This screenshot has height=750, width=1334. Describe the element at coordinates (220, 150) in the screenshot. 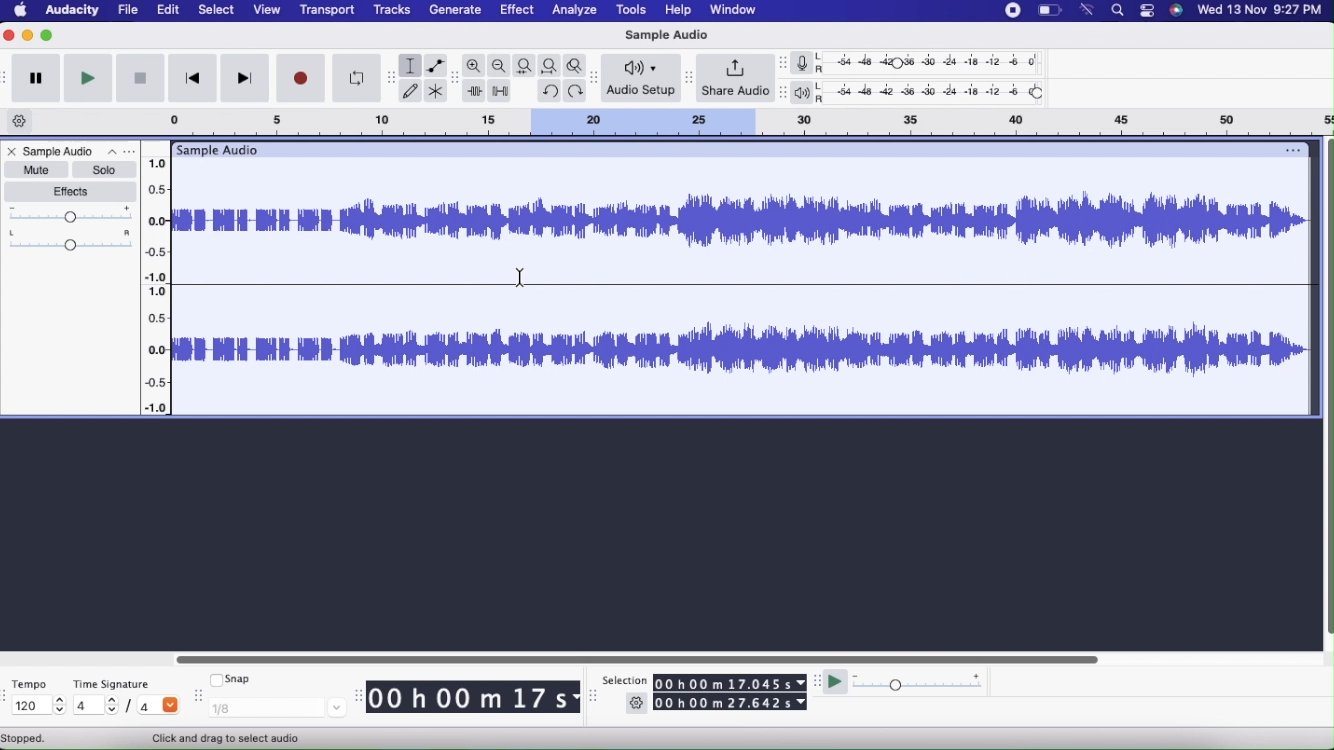

I see `Sample audio` at that location.